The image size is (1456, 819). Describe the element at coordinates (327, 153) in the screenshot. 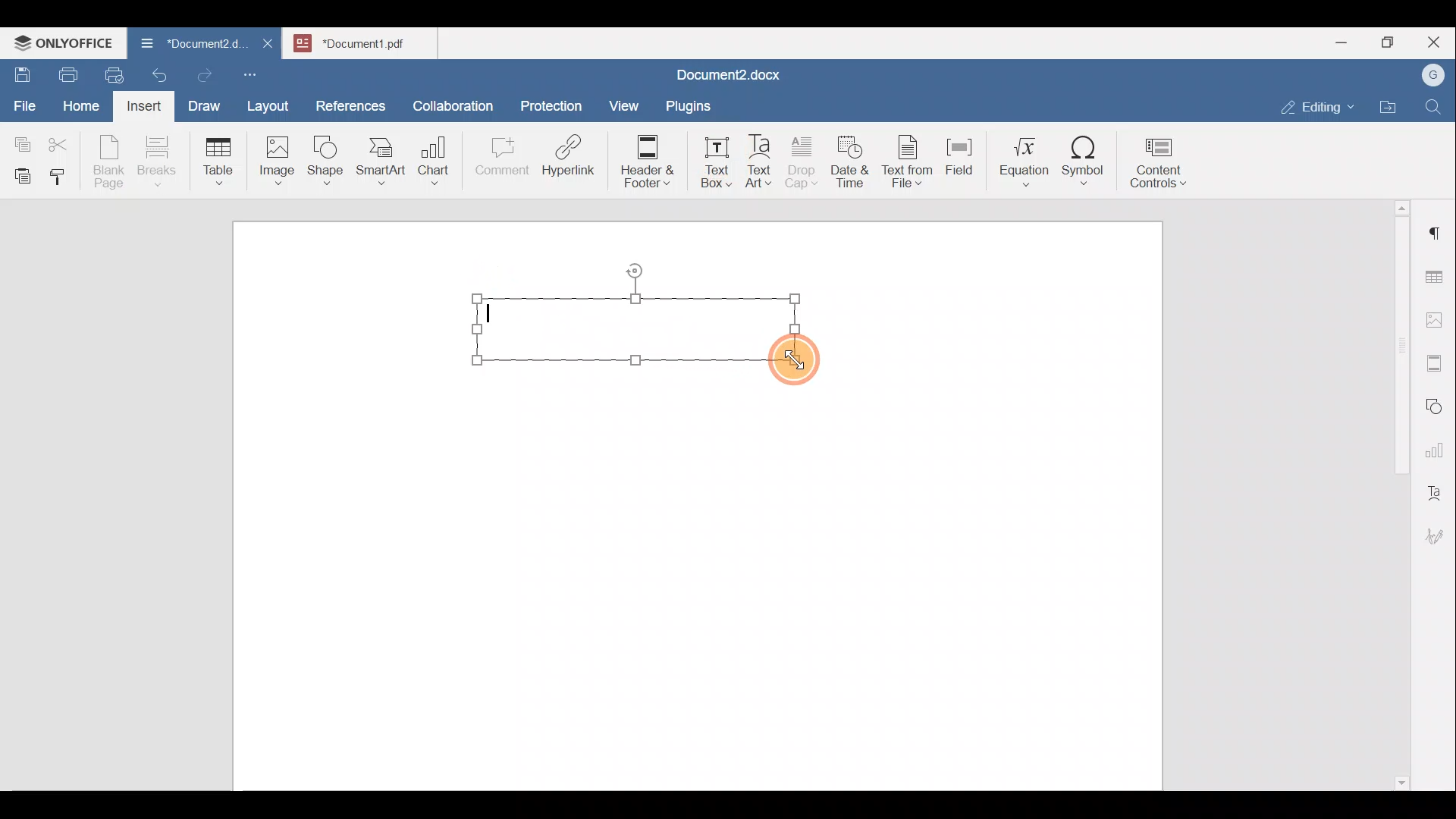

I see `Shape` at that location.